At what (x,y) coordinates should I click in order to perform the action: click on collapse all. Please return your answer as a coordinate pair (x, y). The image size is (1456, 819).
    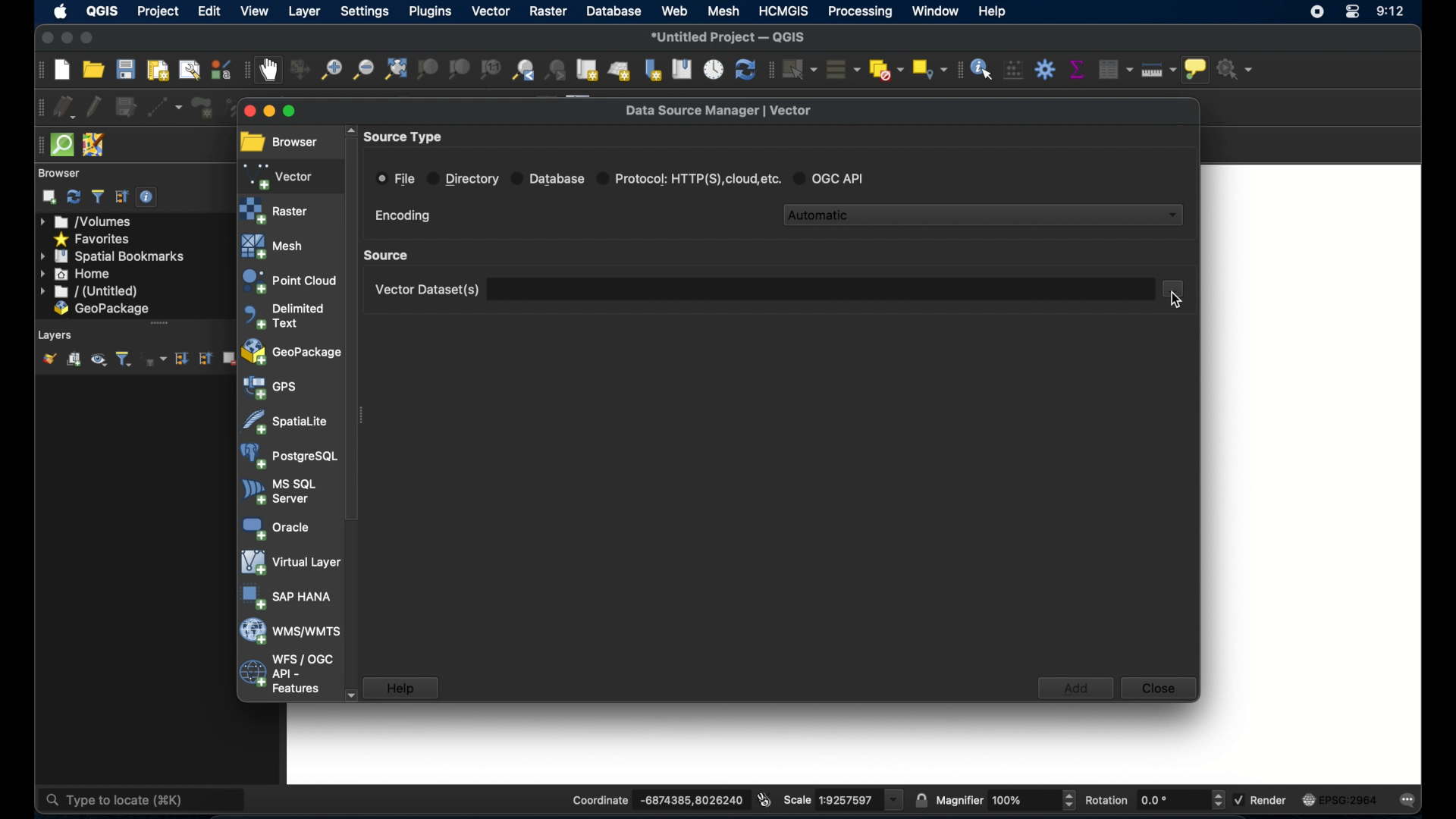
    Looking at the image, I should click on (122, 197).